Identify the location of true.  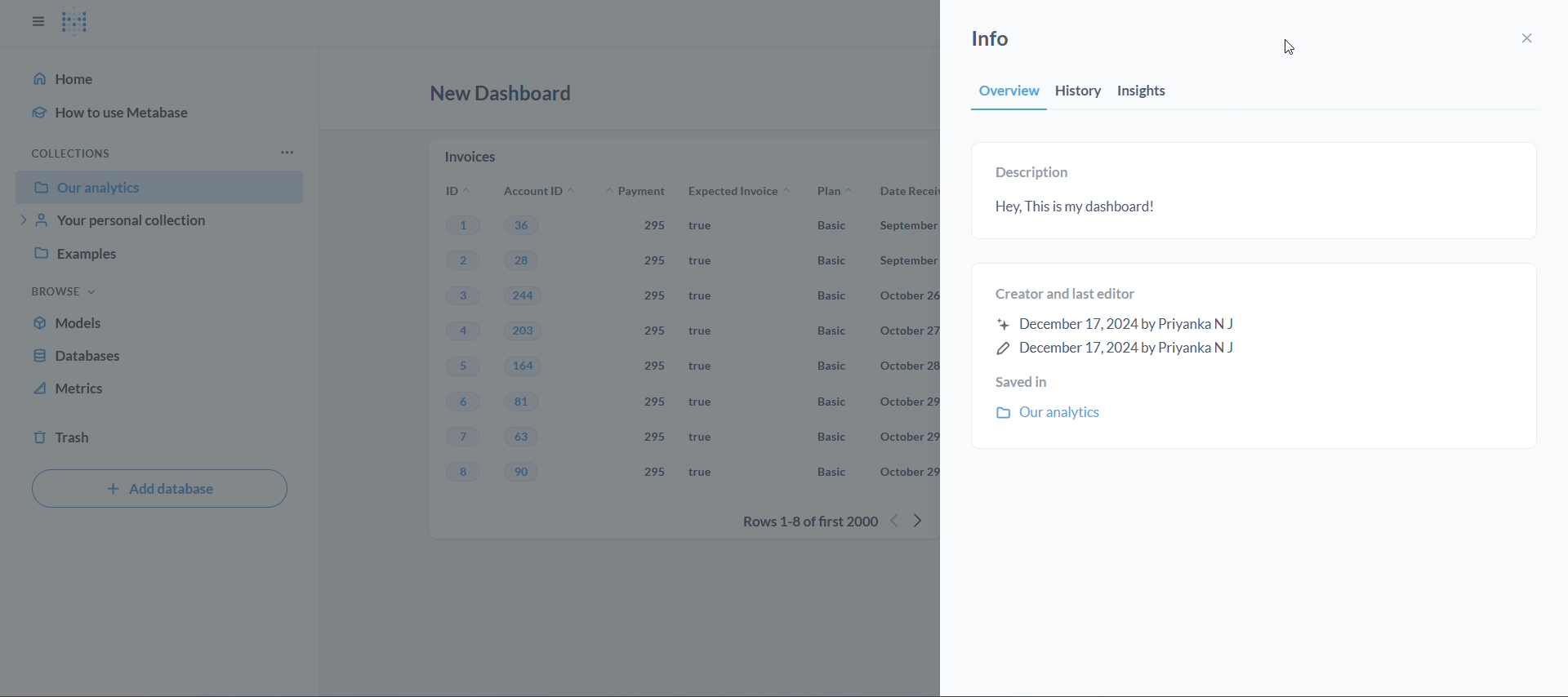
(698, 471).